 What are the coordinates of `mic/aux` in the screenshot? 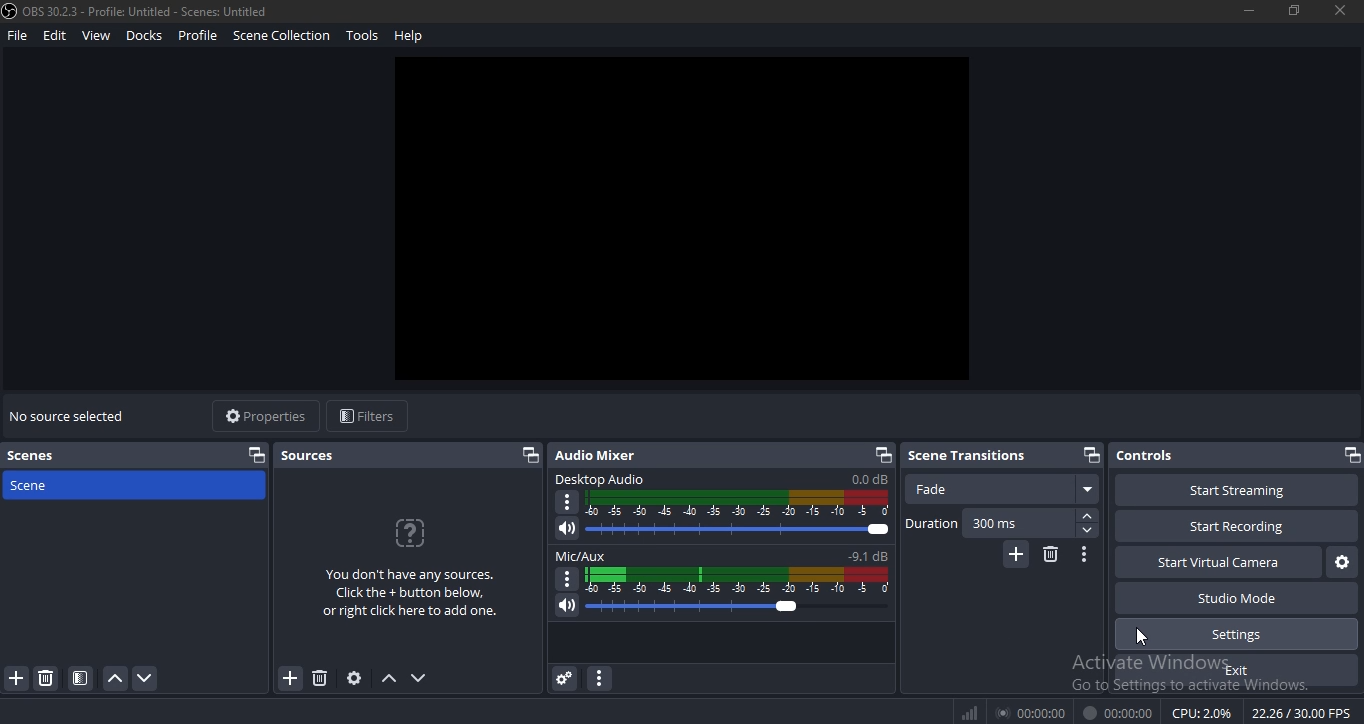 It's located at (718, 556).